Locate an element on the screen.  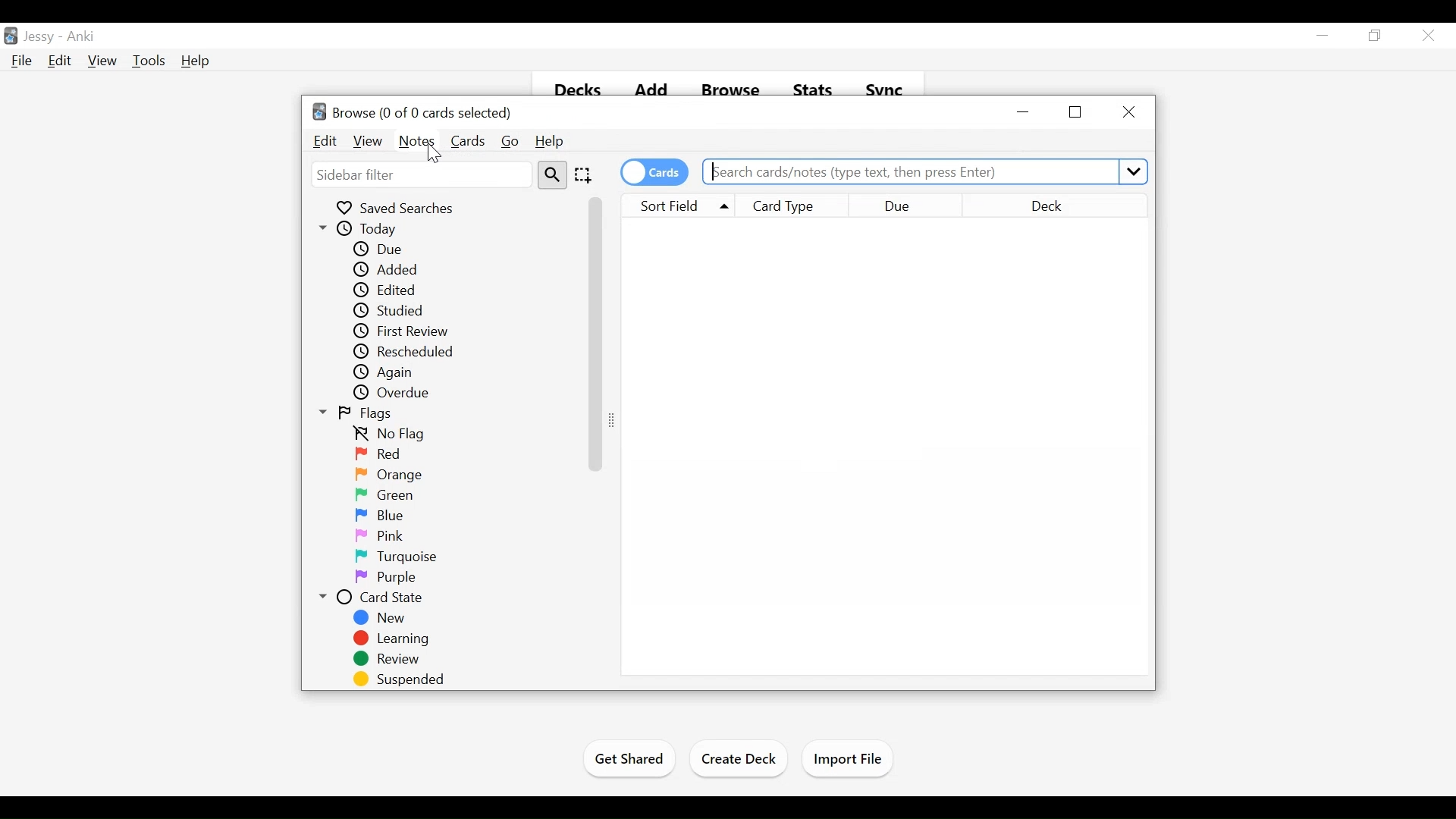
Help is located at coordinates (196, 61).